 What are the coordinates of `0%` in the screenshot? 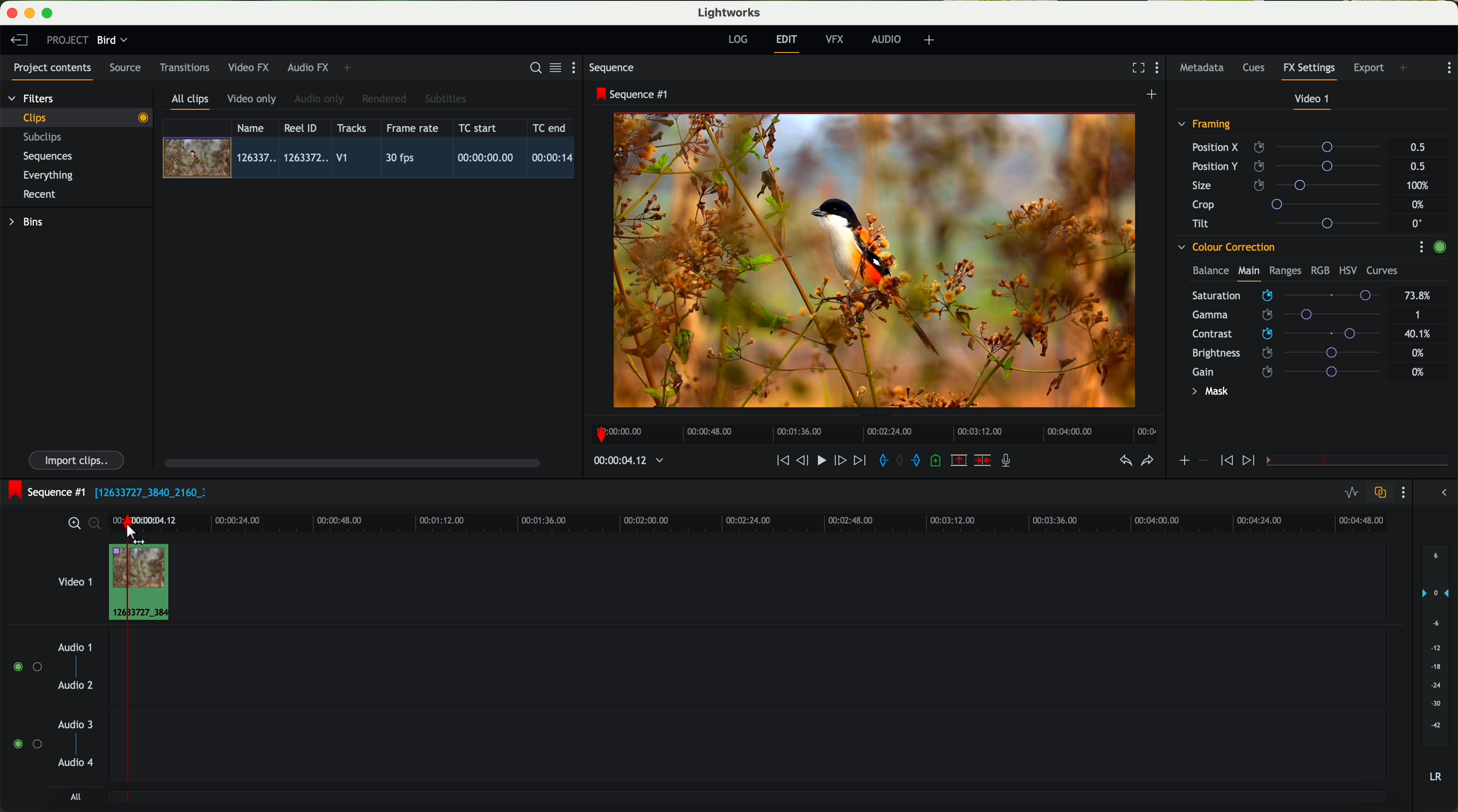 It's located at (1418, 372).